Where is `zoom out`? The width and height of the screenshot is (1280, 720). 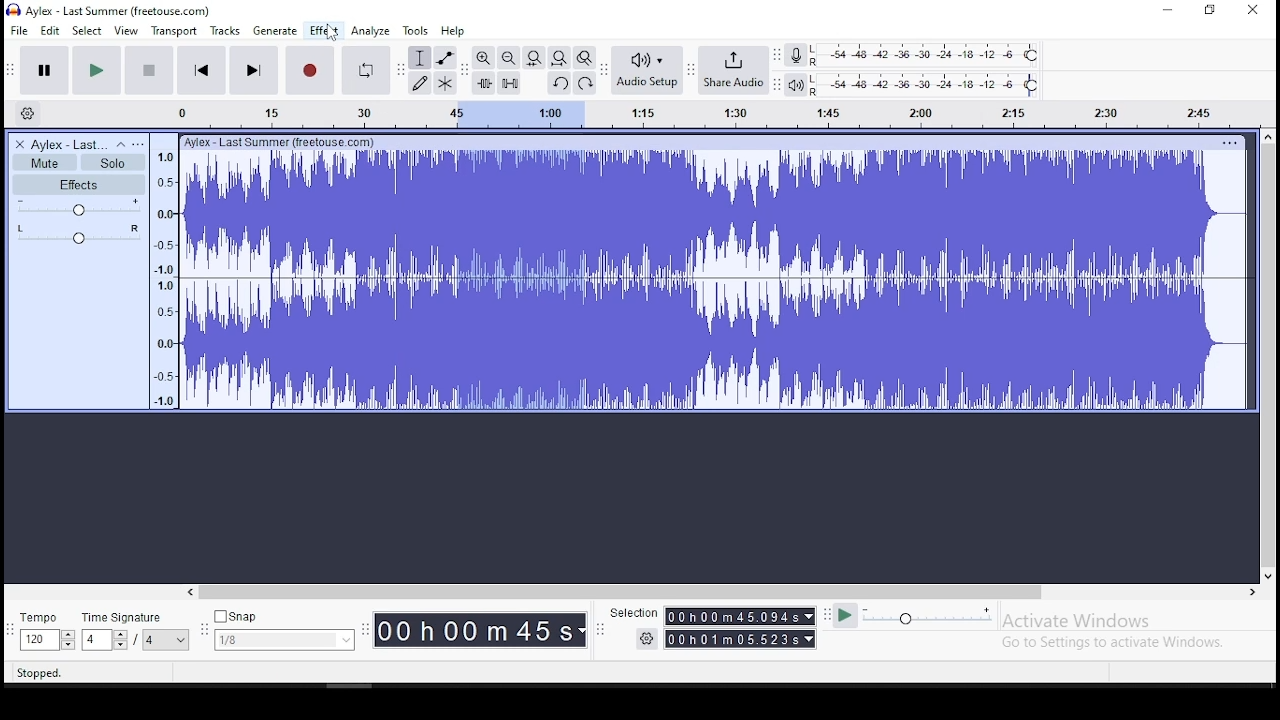 zoom out is located at coordinates (507, 57).